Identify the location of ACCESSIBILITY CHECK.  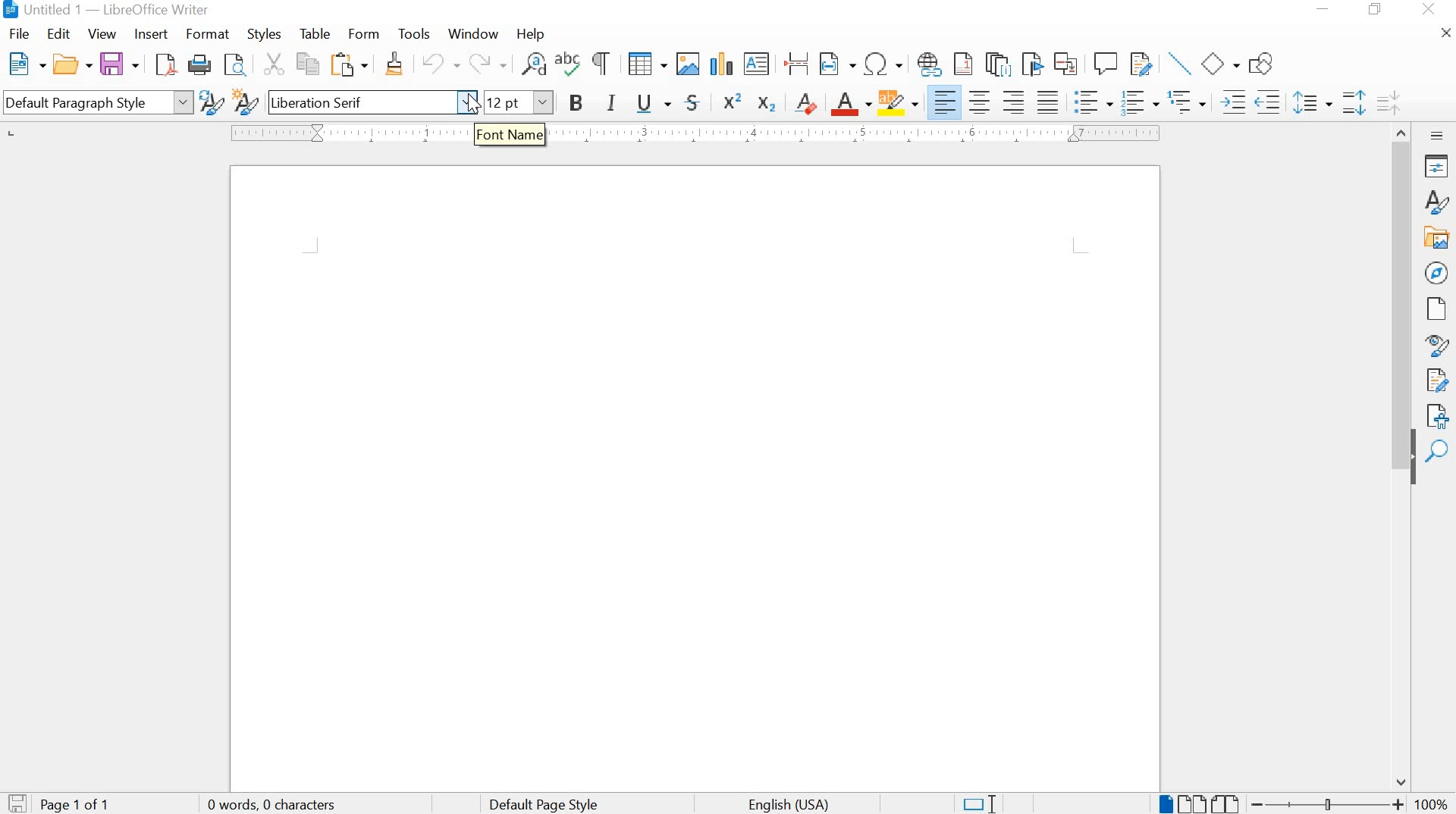
(1439, 414).